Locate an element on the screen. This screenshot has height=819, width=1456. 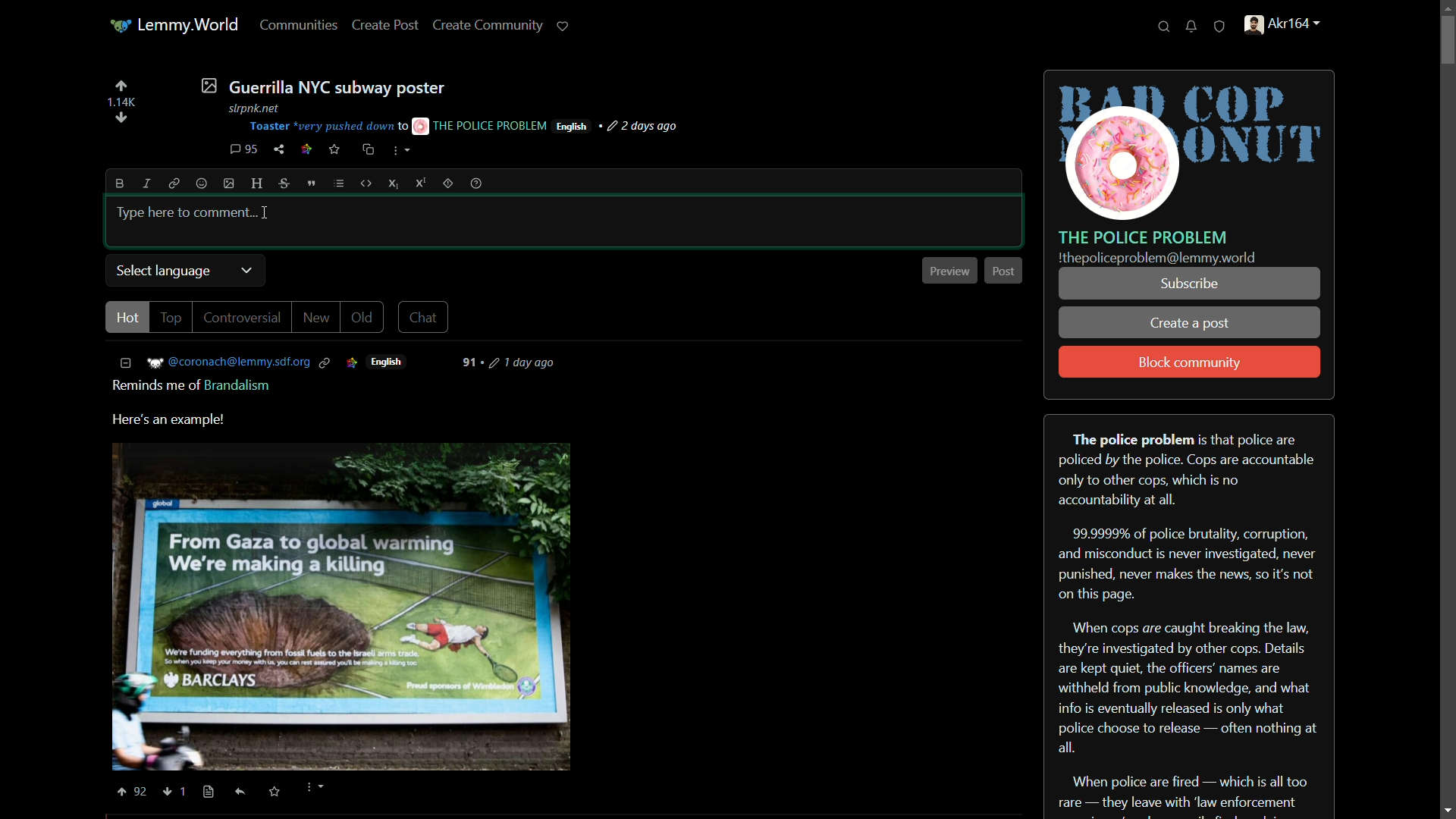
subscript is located at coordinates (395, 184).